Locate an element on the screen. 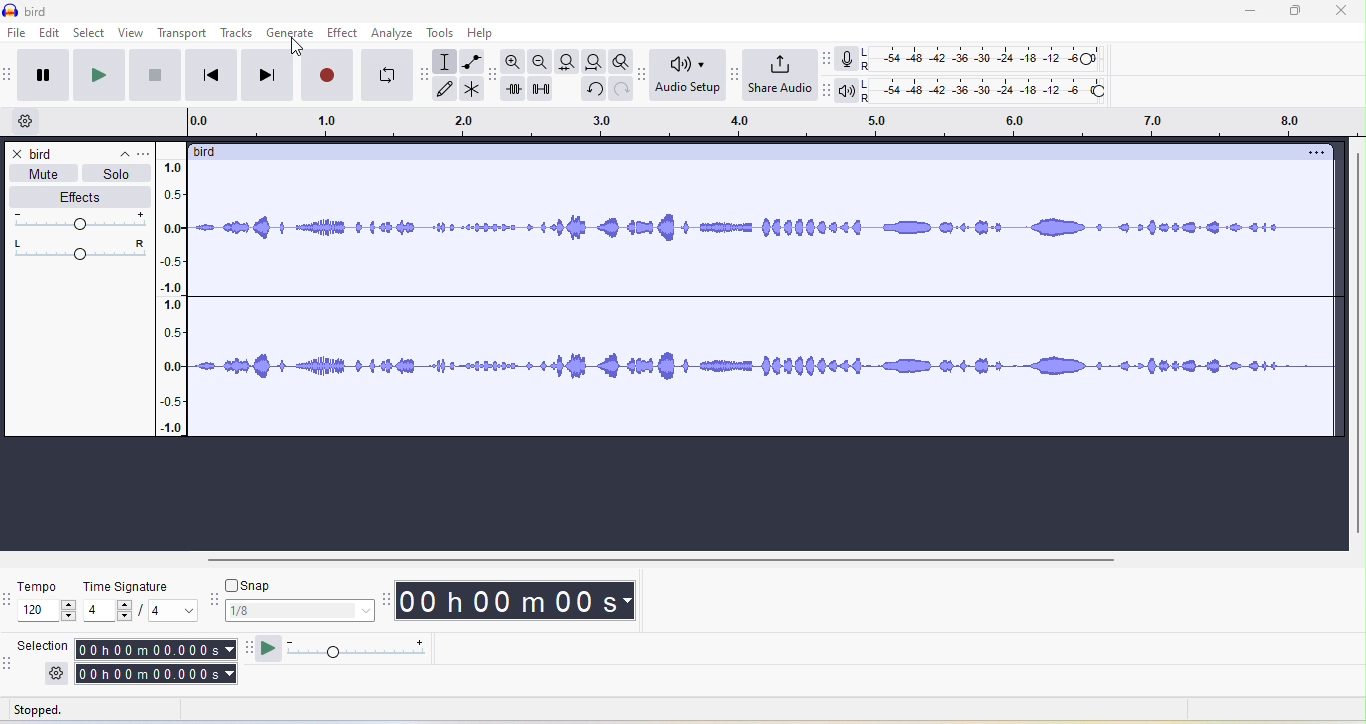 This screenshot has height=724, width=1366. vertical scroll bar is located at coordinates (1357, 342).